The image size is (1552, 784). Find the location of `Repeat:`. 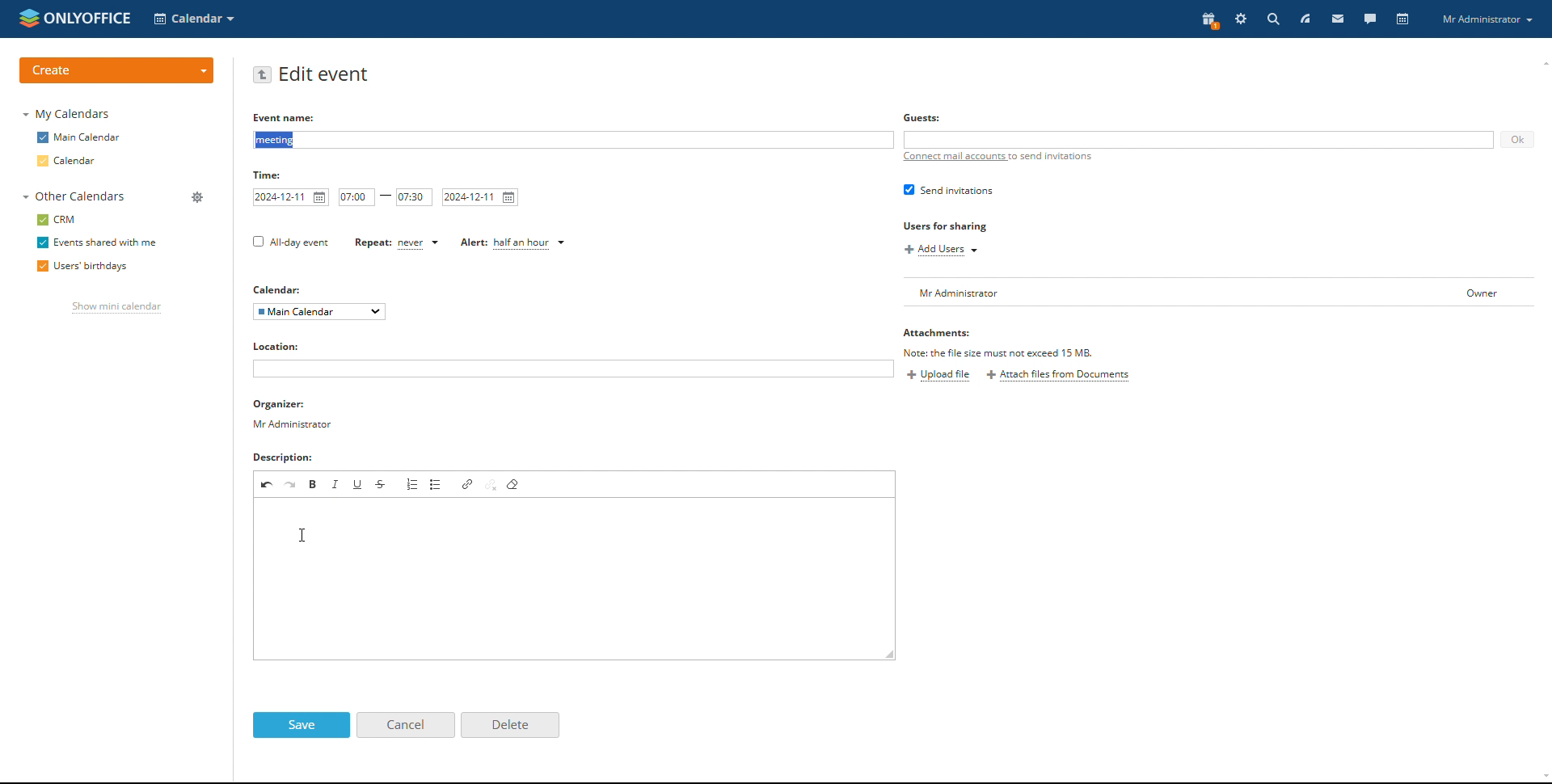

Repeat: is located at coordinates (373, 242).